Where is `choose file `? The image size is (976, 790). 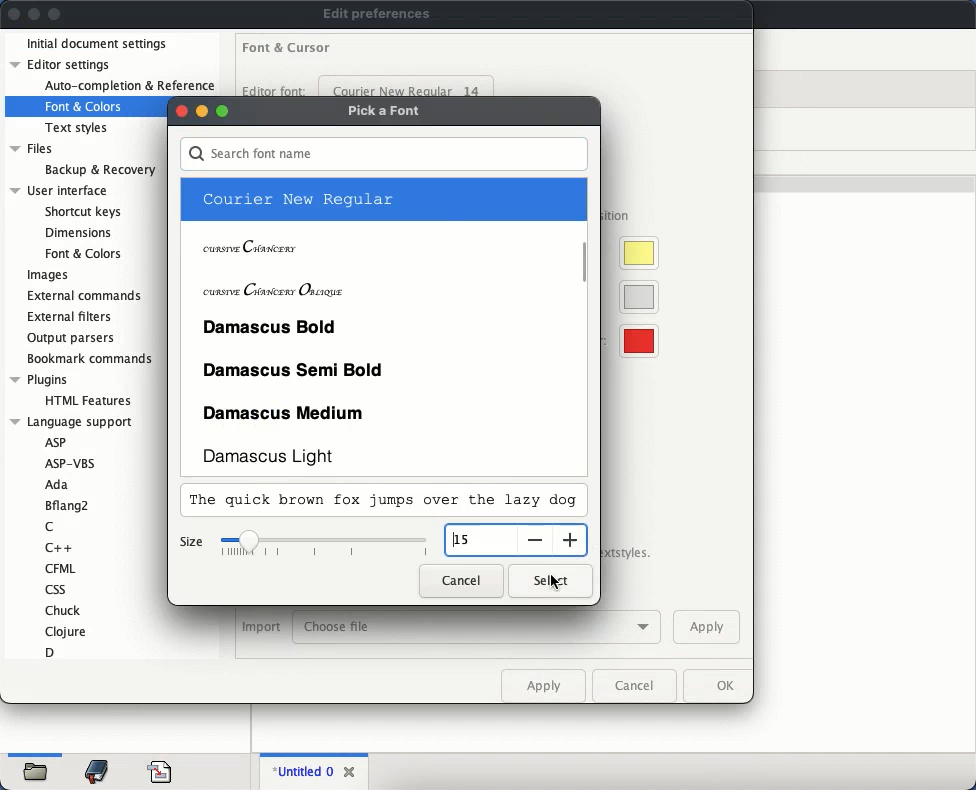
choose file  is located at coordinates (477, 628).